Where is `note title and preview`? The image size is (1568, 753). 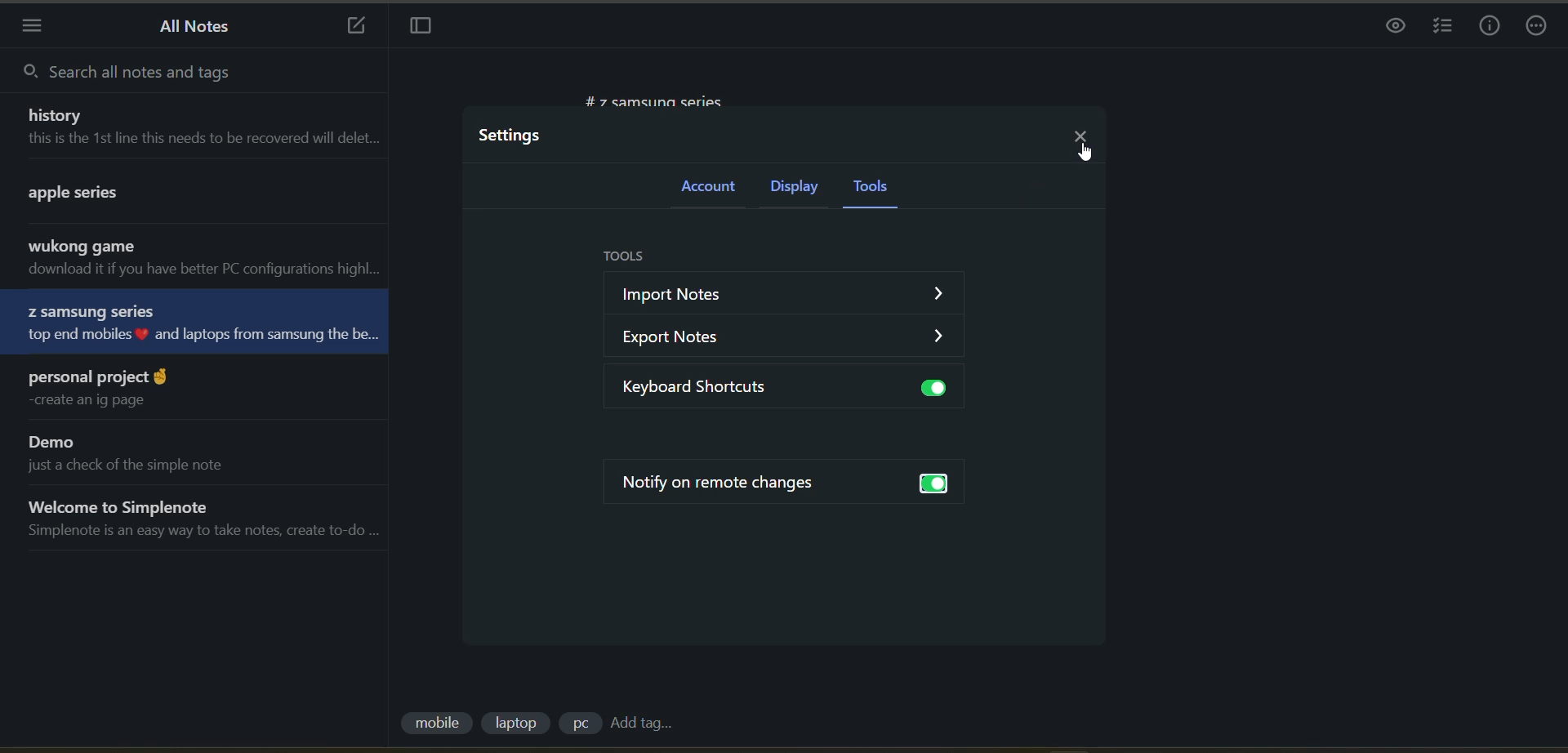
note title and preview is located at coordinates (211, 519).